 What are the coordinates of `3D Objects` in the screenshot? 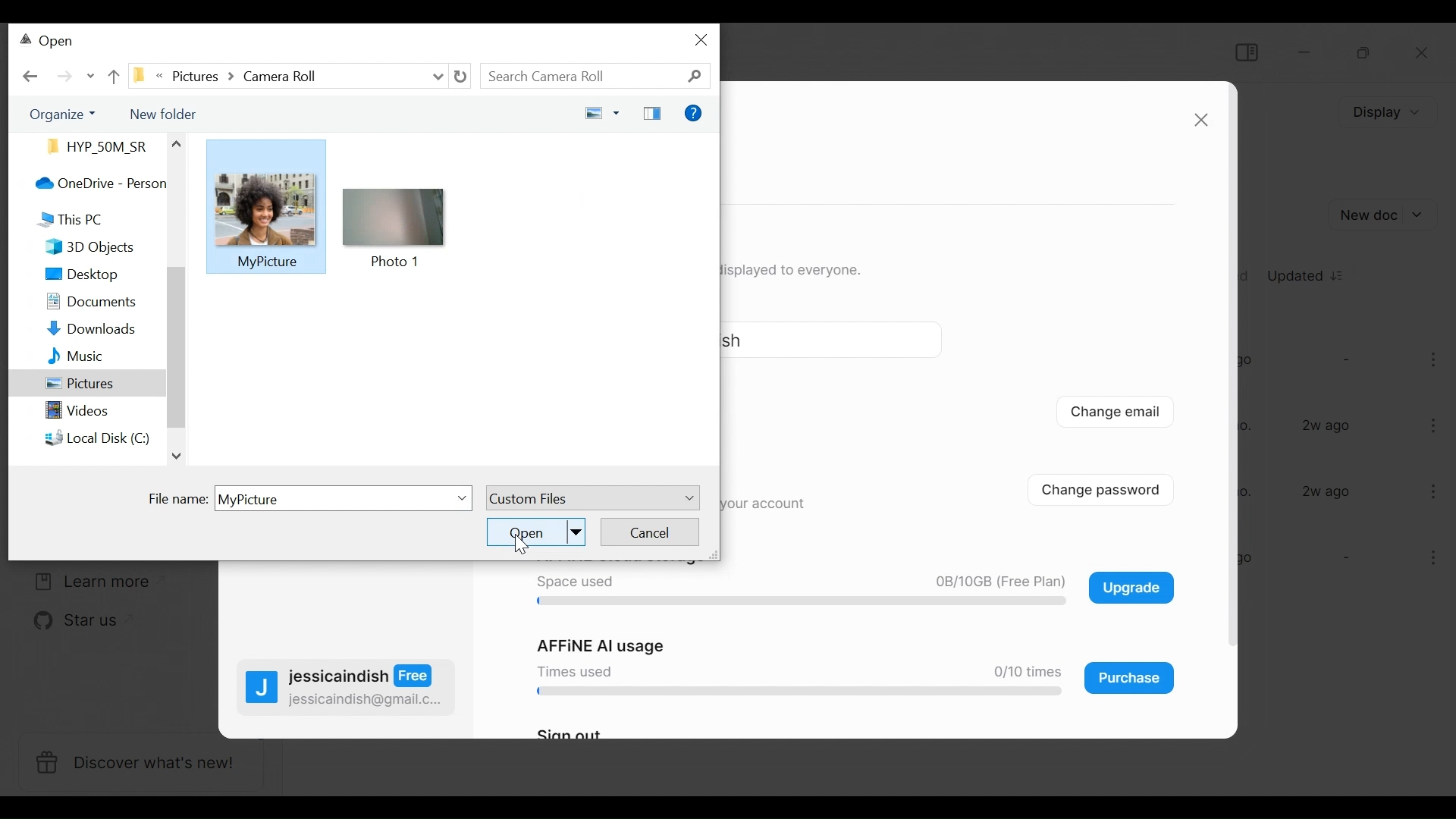 It's located at (79, 248).